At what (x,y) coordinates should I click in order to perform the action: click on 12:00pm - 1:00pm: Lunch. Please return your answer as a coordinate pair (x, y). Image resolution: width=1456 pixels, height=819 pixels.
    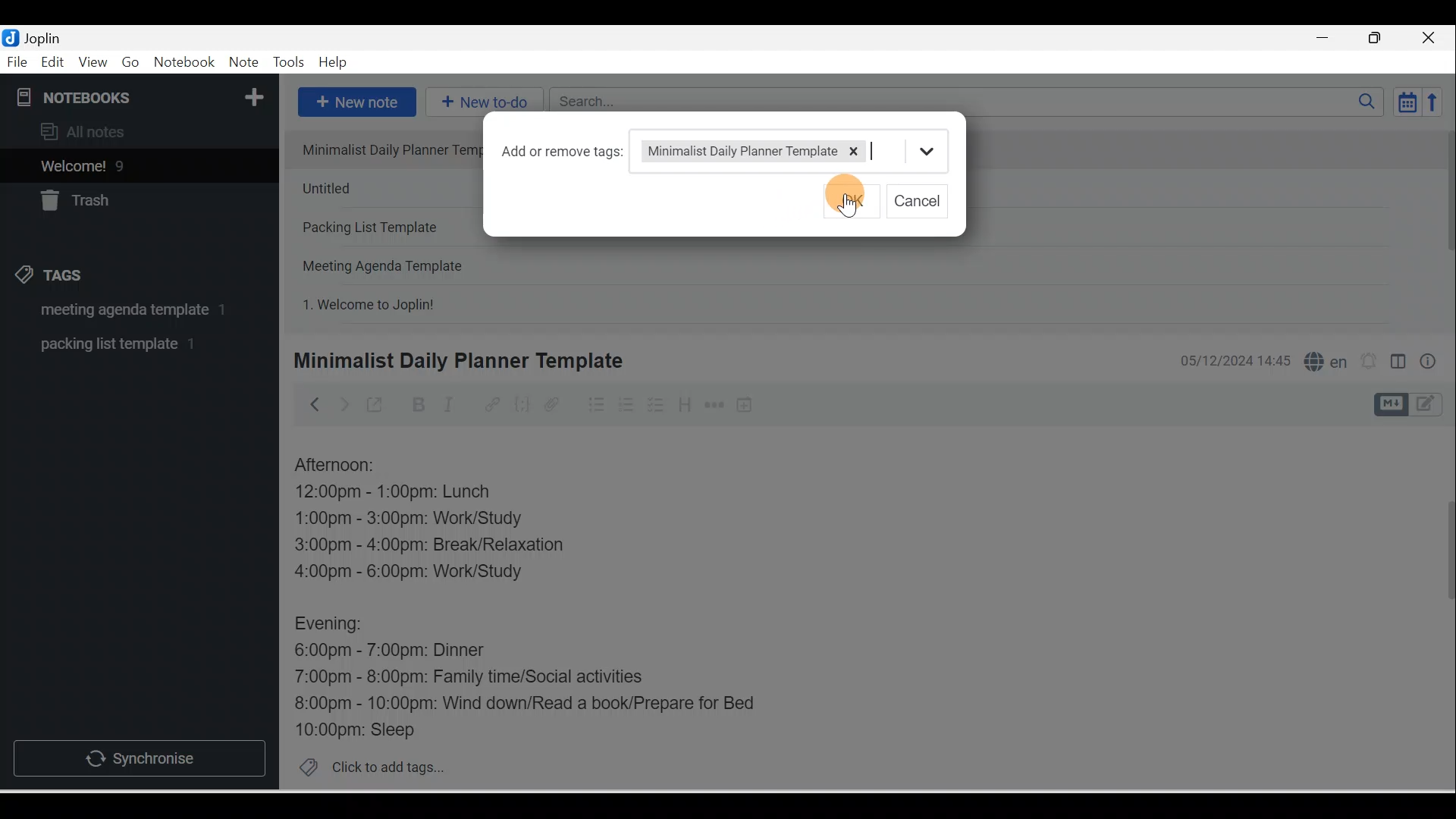
    Looking at the image, I should click on (410, 493).